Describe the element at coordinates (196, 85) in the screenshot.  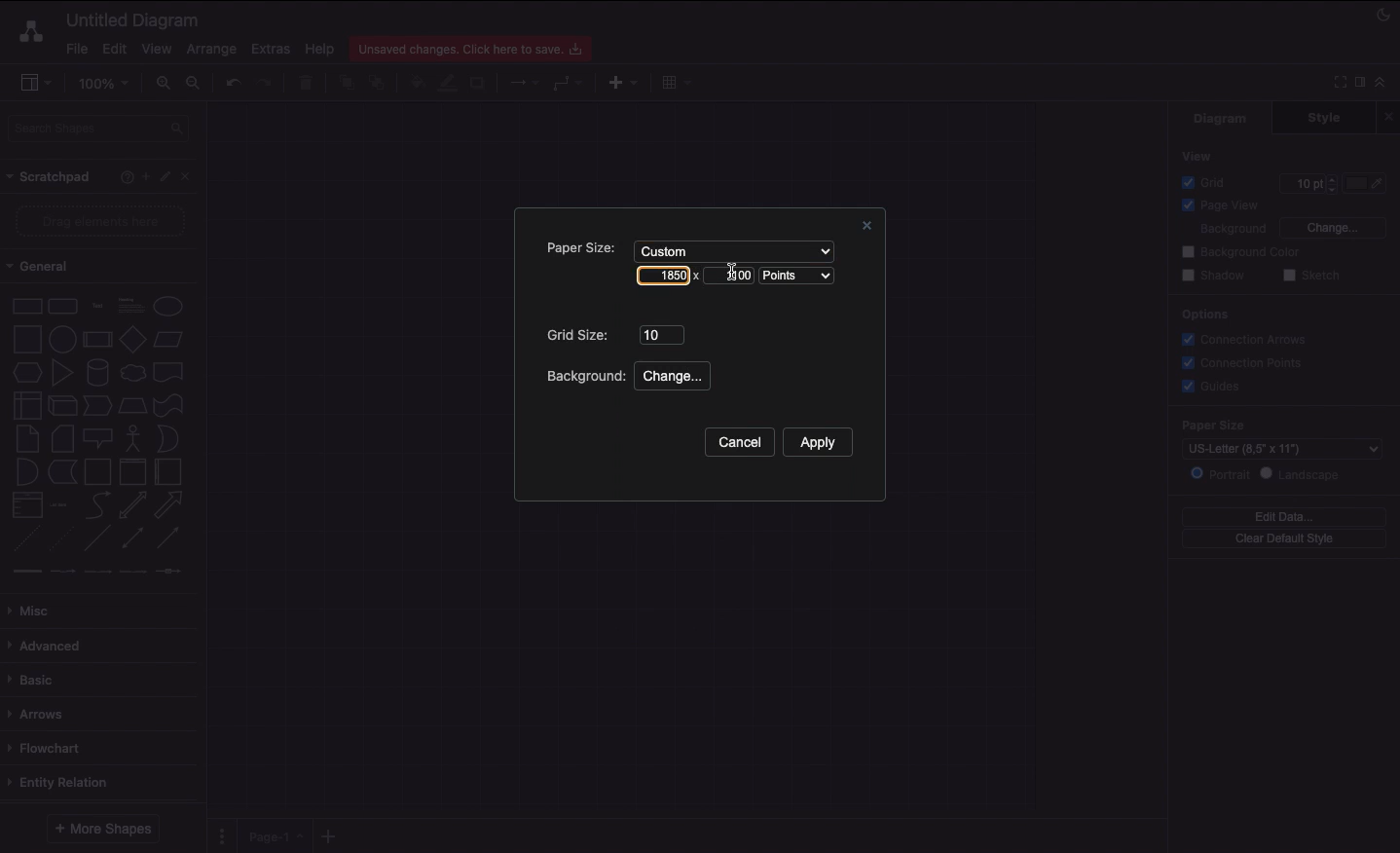
I see `Zoom out` at that location.